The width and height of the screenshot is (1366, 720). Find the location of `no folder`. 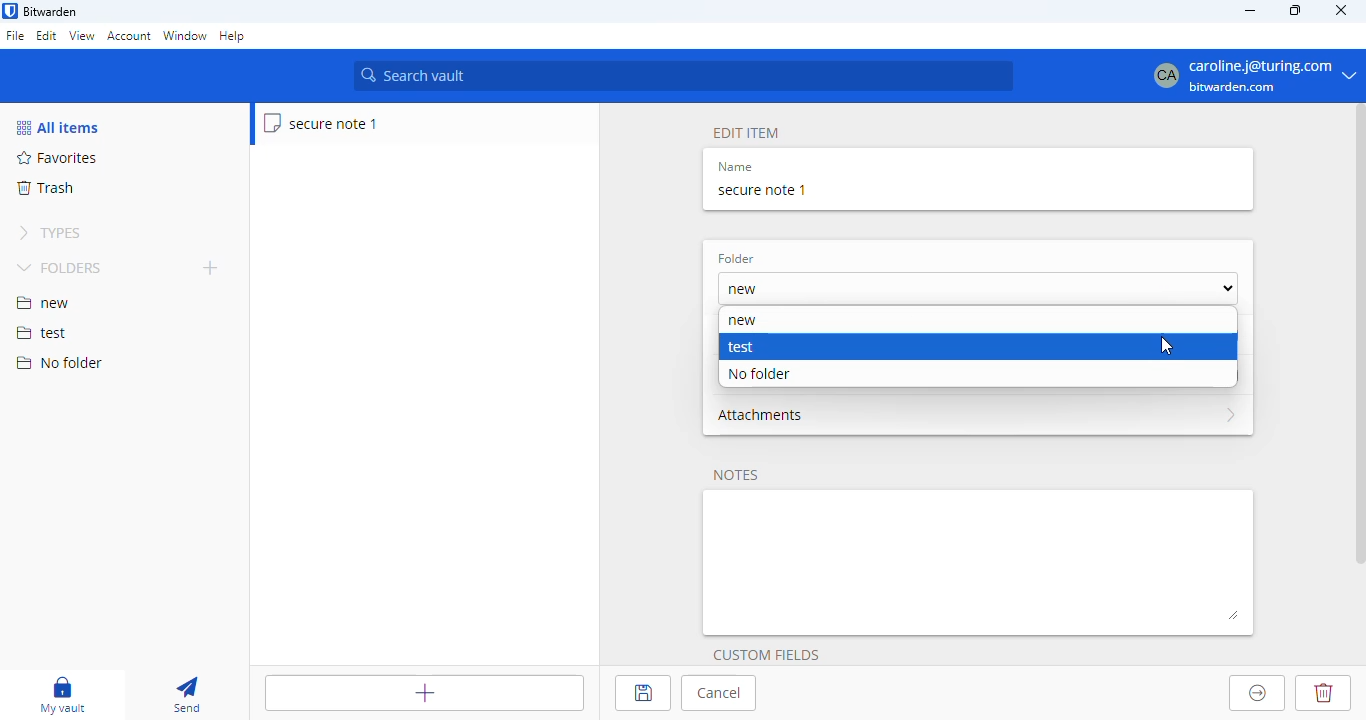

no folder is located at coordinates (59, 362).